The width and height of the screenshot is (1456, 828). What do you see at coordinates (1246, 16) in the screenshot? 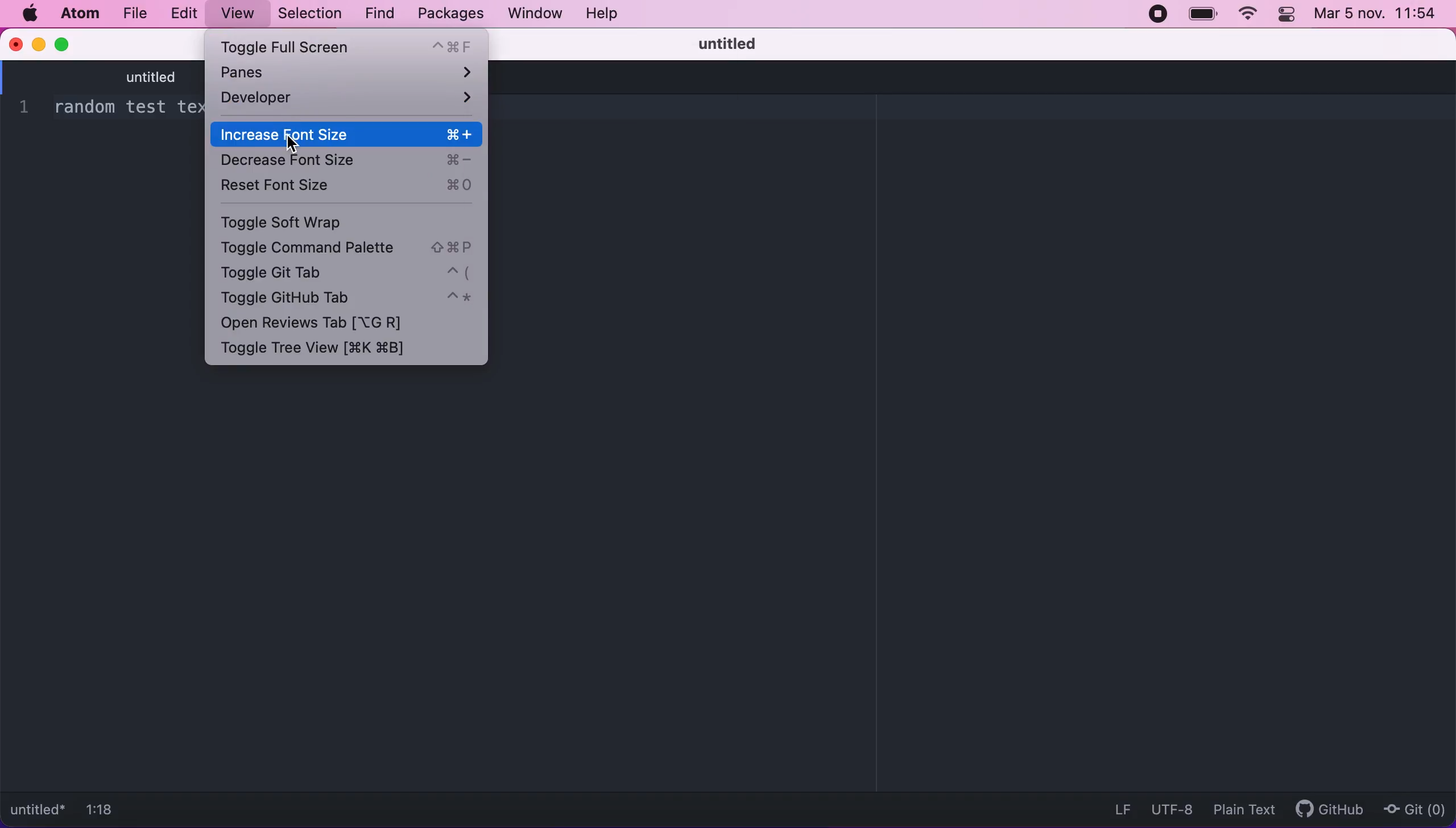
I see `wifi` at bounding box center [1246, 16].